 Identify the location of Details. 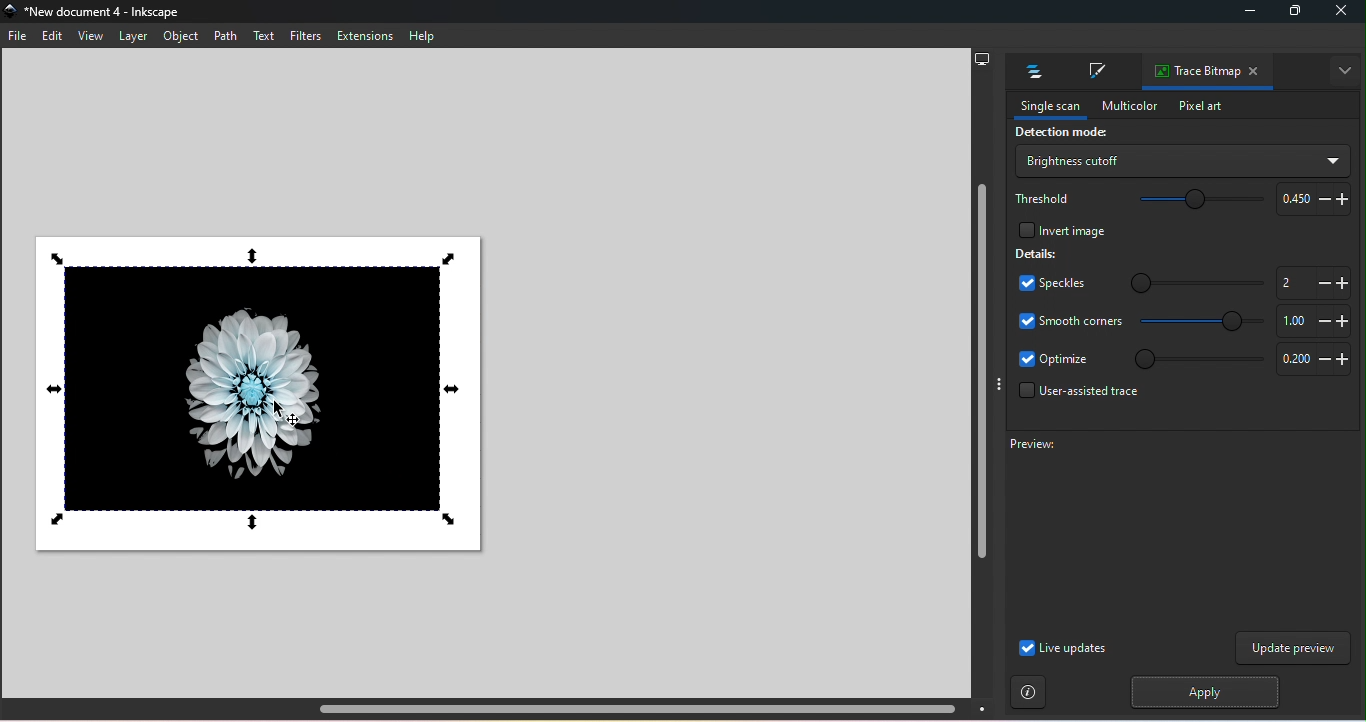
(1037, 253).